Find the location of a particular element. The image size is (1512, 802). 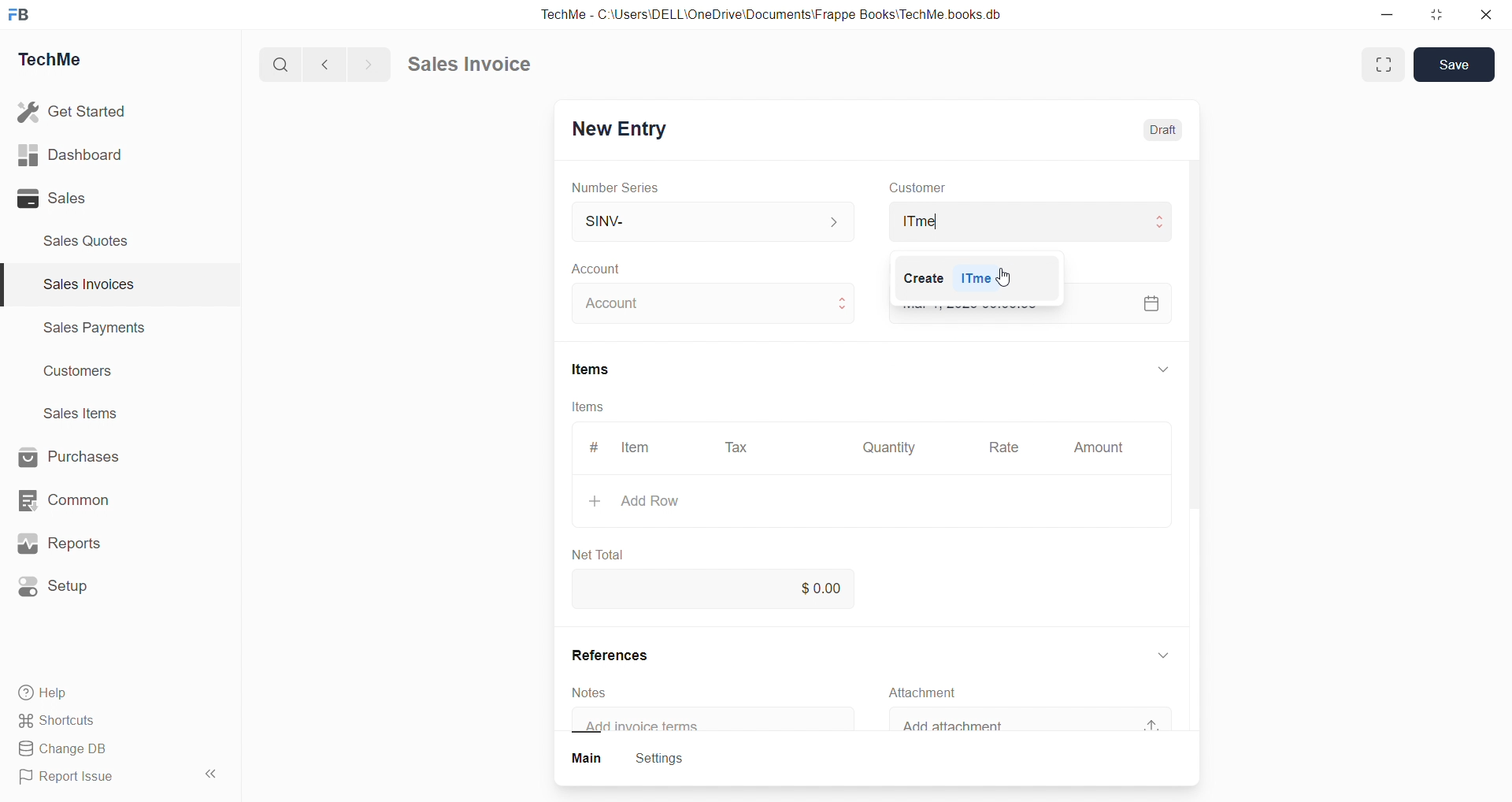

Sales Items is located at coordinates (87, 415).